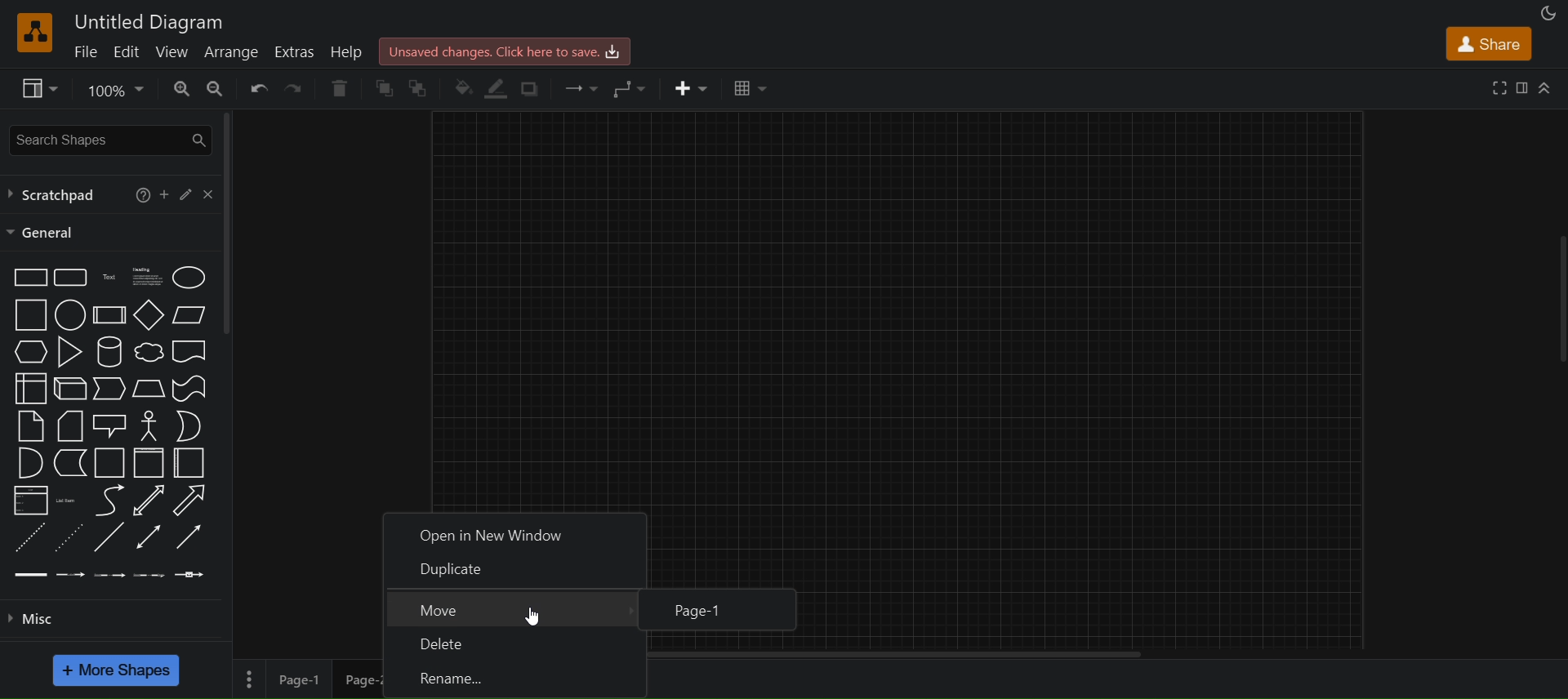 This screenshot has width=1568, height=699. What do you see at coordinates (301, 679) in the screenshot?
I see `page 1` at bounding box center [301, 679].